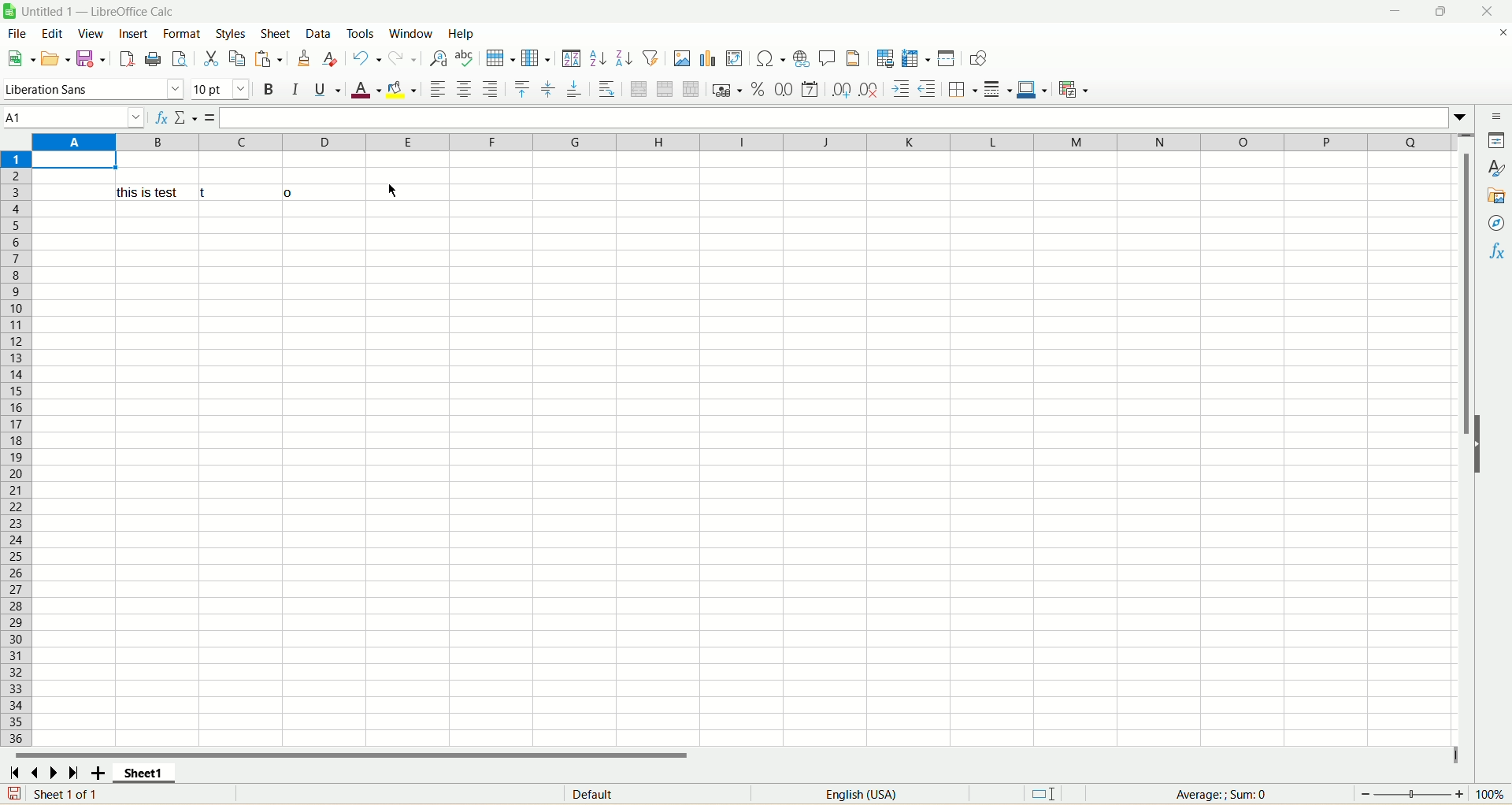  Describe the element at coordinates (1439, 11) in the screenshot. I see `maximize` at that location.